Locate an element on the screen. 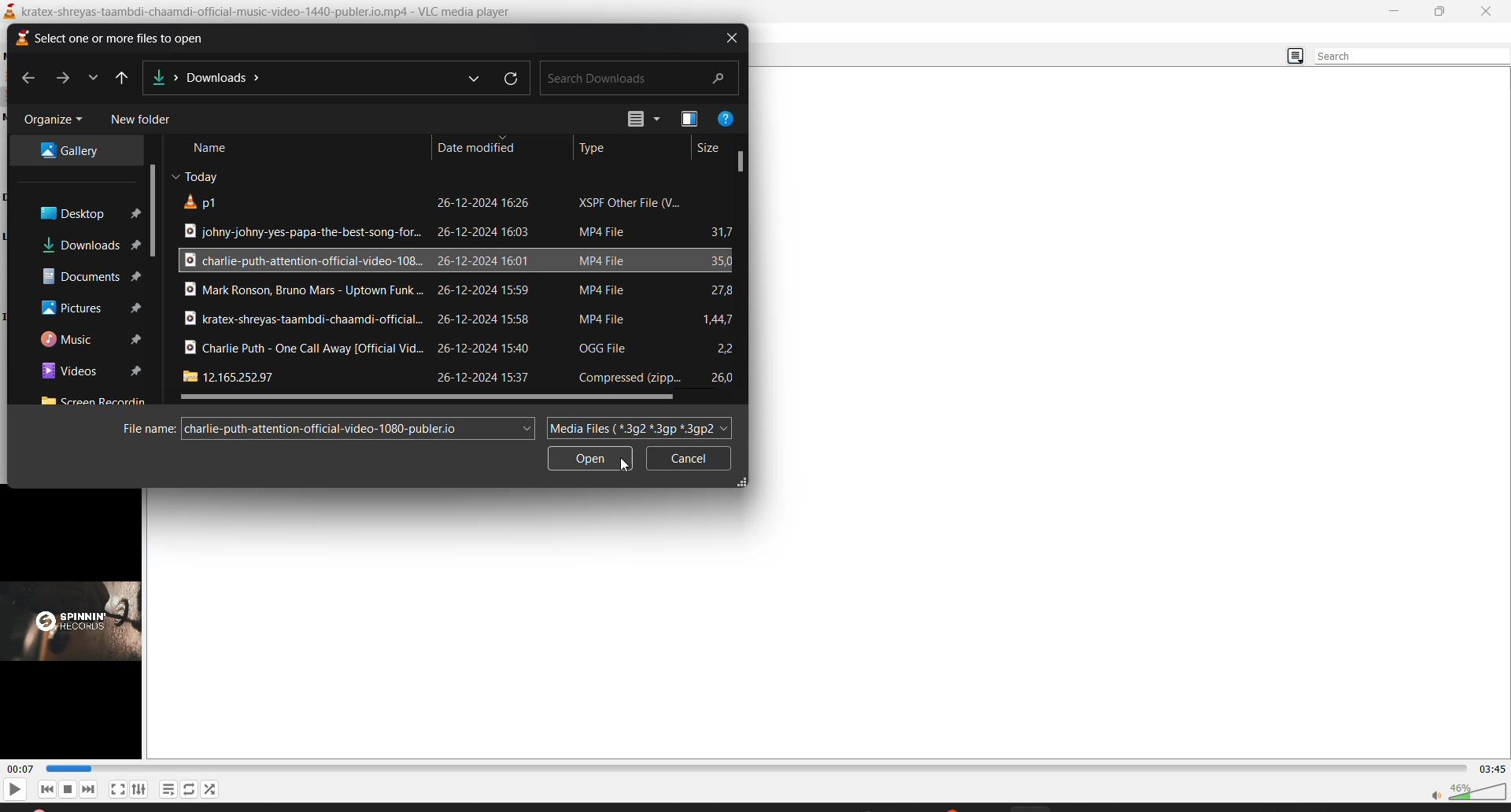  date modified is located at coordinates (486, 202).